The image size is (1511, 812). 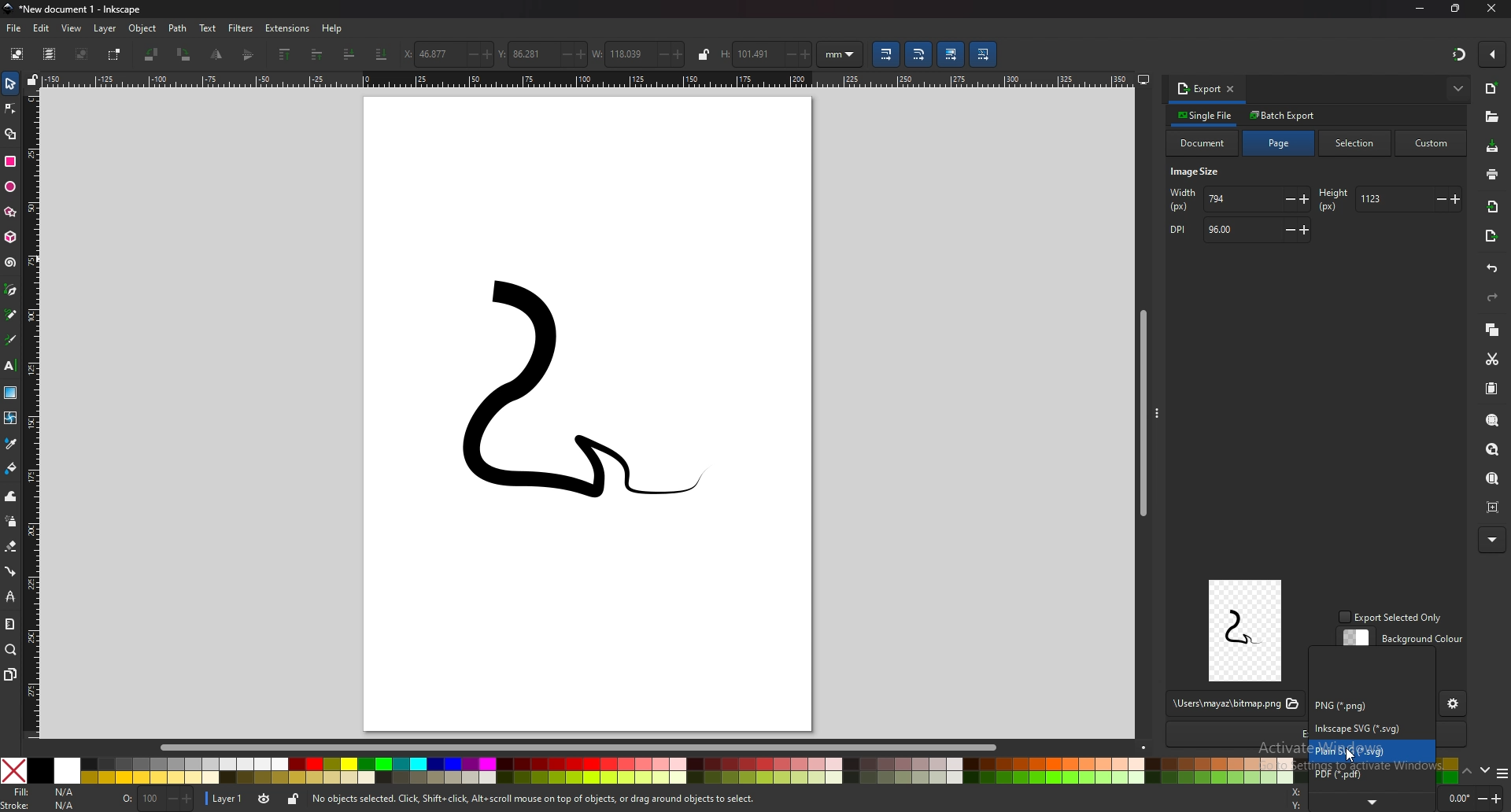 What do you see at coordinates (1359, 705) in the screenshot?
I see `png` at bounding box center [1359, 705].